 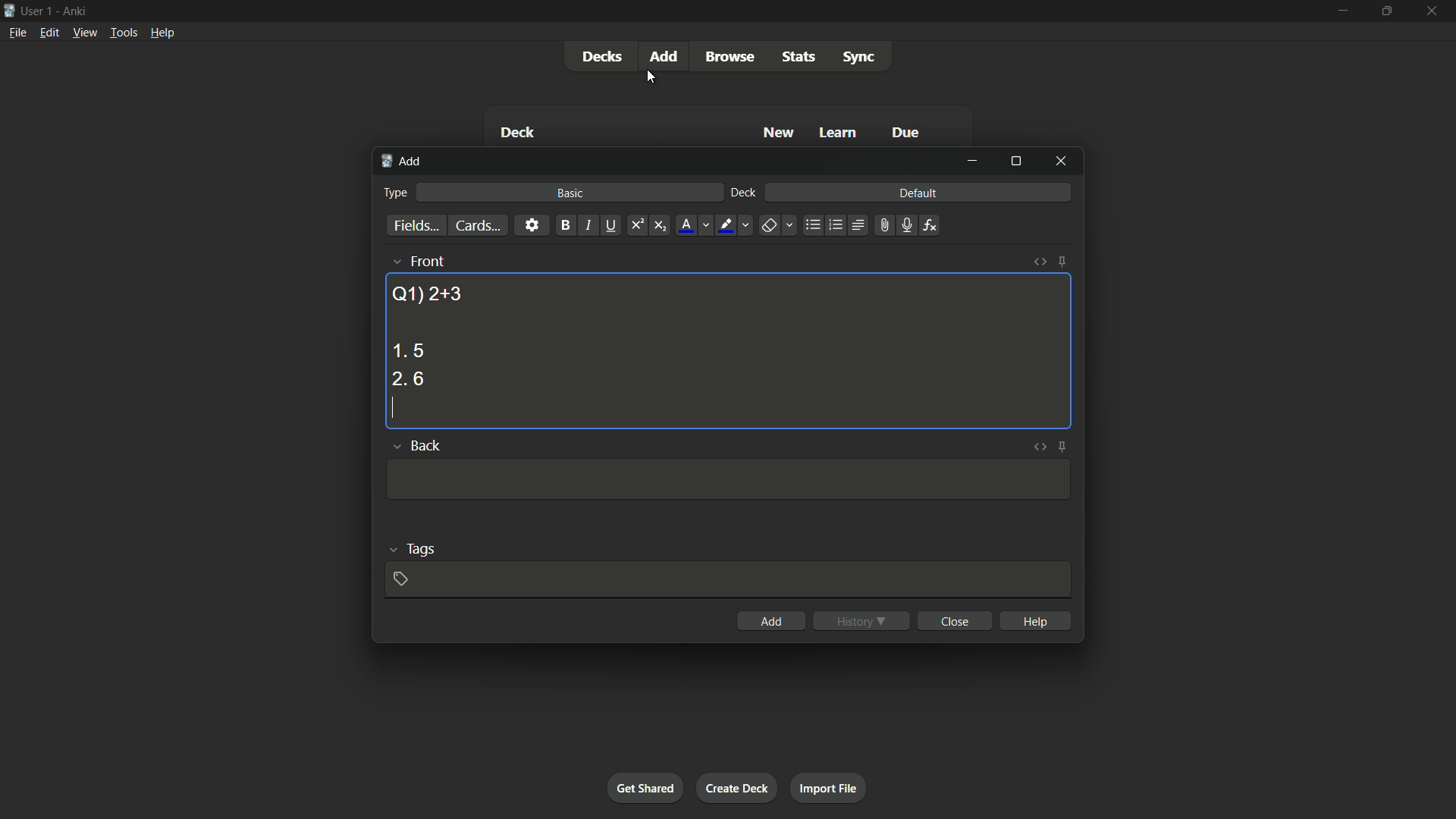 I want to click on equations, so click(x=930, y=225).